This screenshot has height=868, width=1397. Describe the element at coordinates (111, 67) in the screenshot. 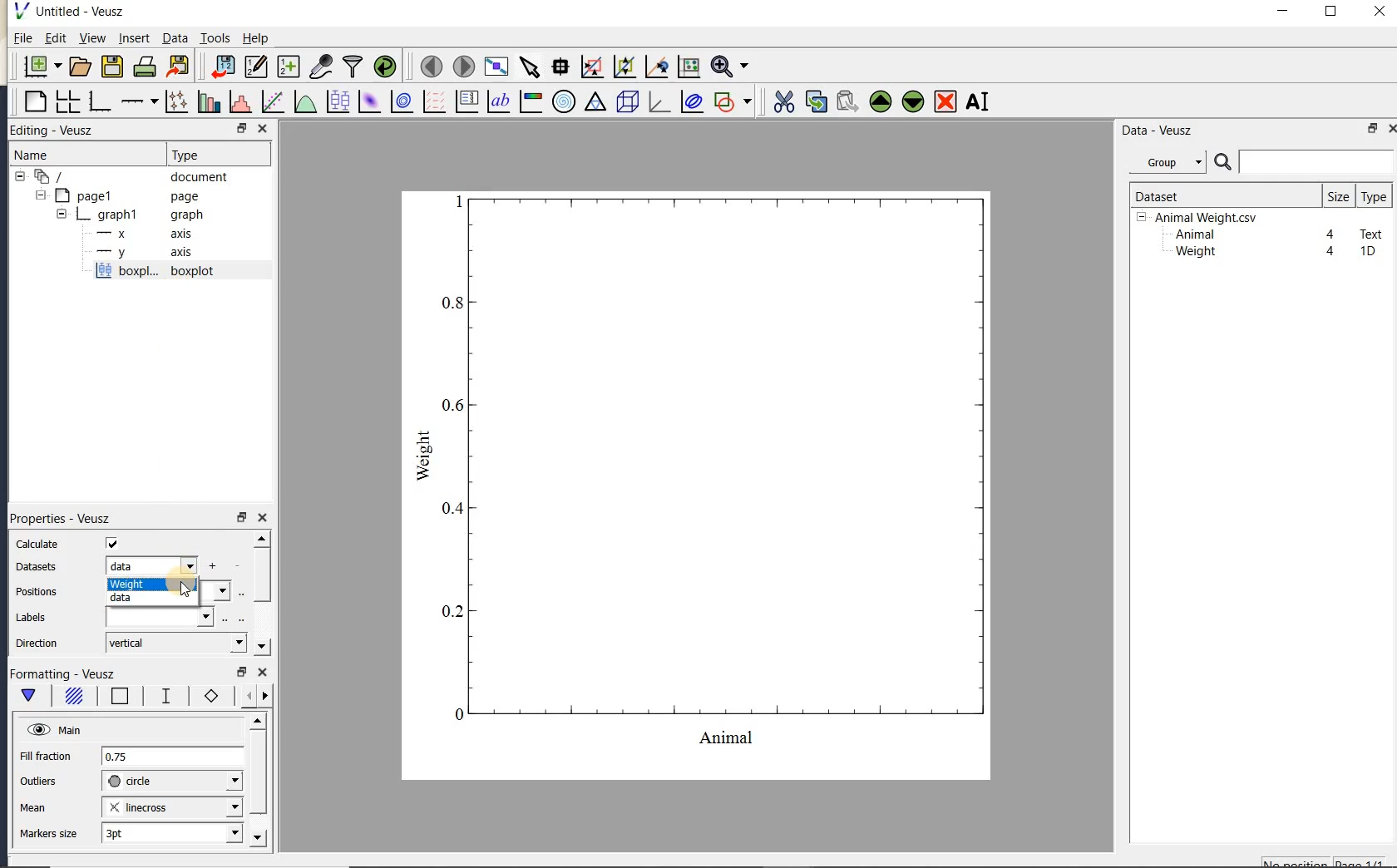

I see `save the document` at that location.